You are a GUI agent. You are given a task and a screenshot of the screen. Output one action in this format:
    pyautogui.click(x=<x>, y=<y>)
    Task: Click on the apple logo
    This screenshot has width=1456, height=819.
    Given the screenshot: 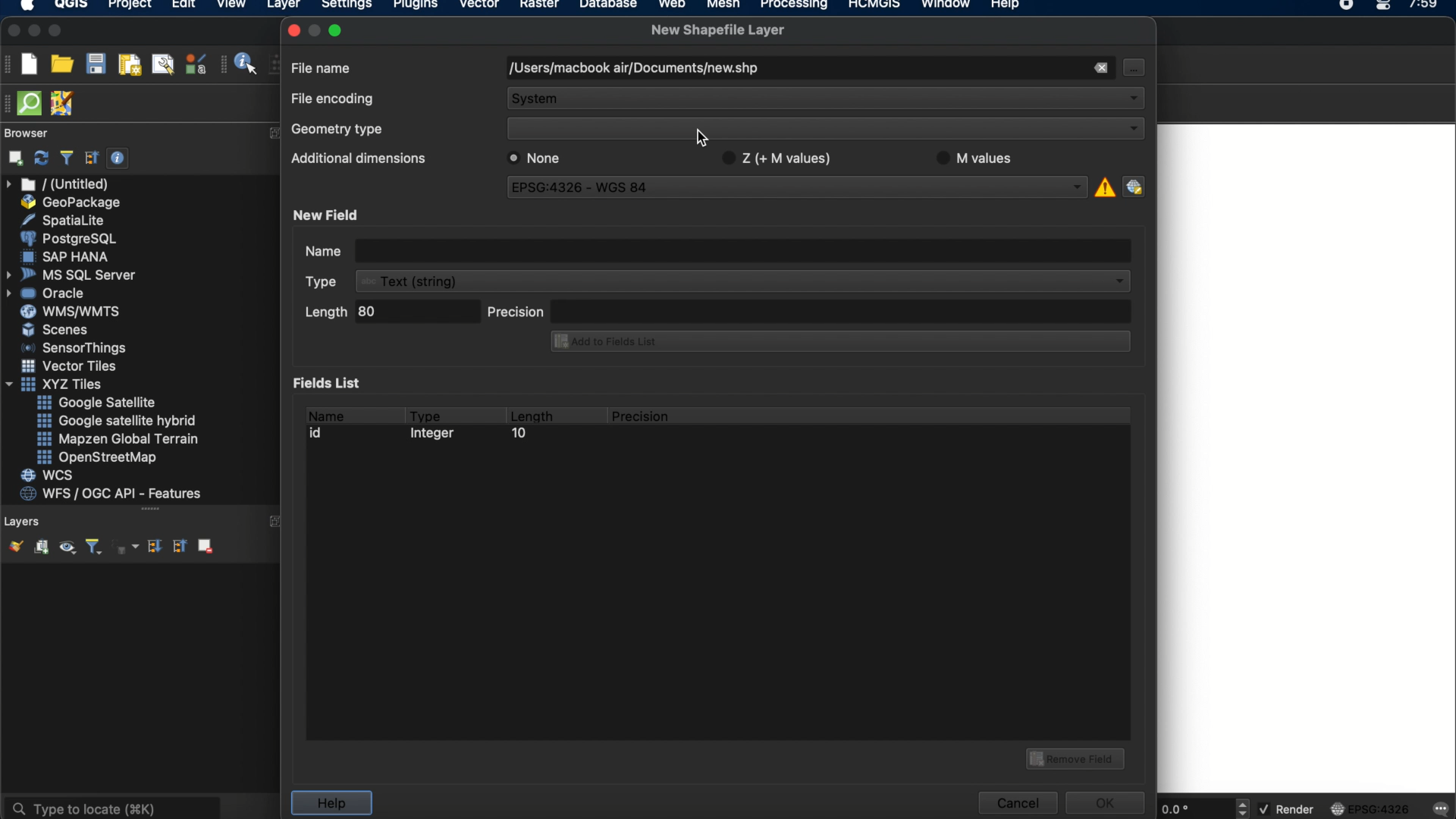 What is the action you would take?
    pyautogui.click(x=25, y=6)
    